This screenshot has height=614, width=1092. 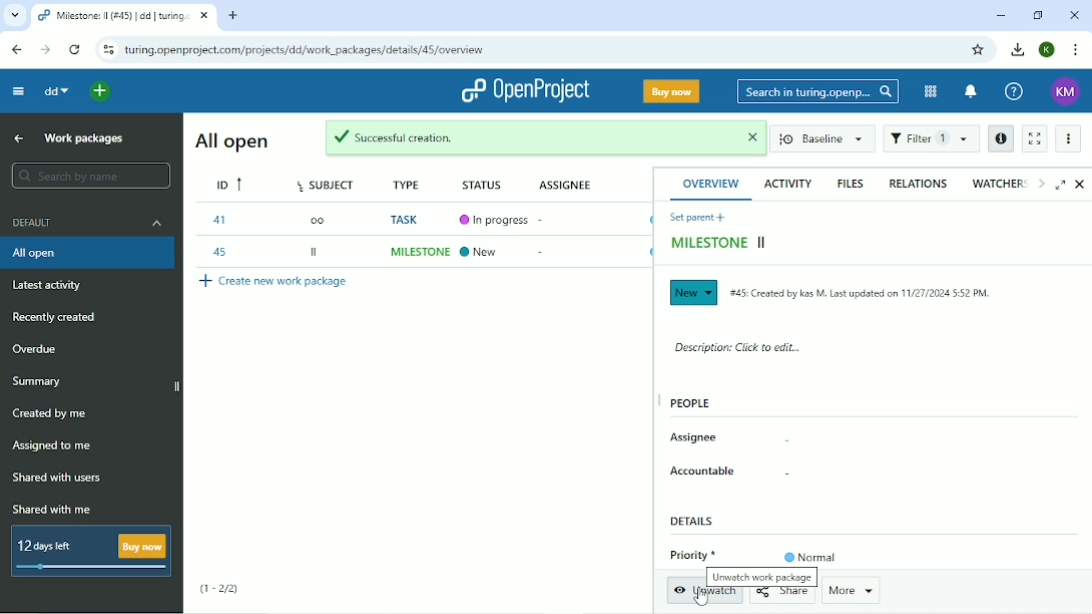 What do you see at coordinates (495, 220) in the screenshot?
I see `in progress` at bounding box center [495, 220].